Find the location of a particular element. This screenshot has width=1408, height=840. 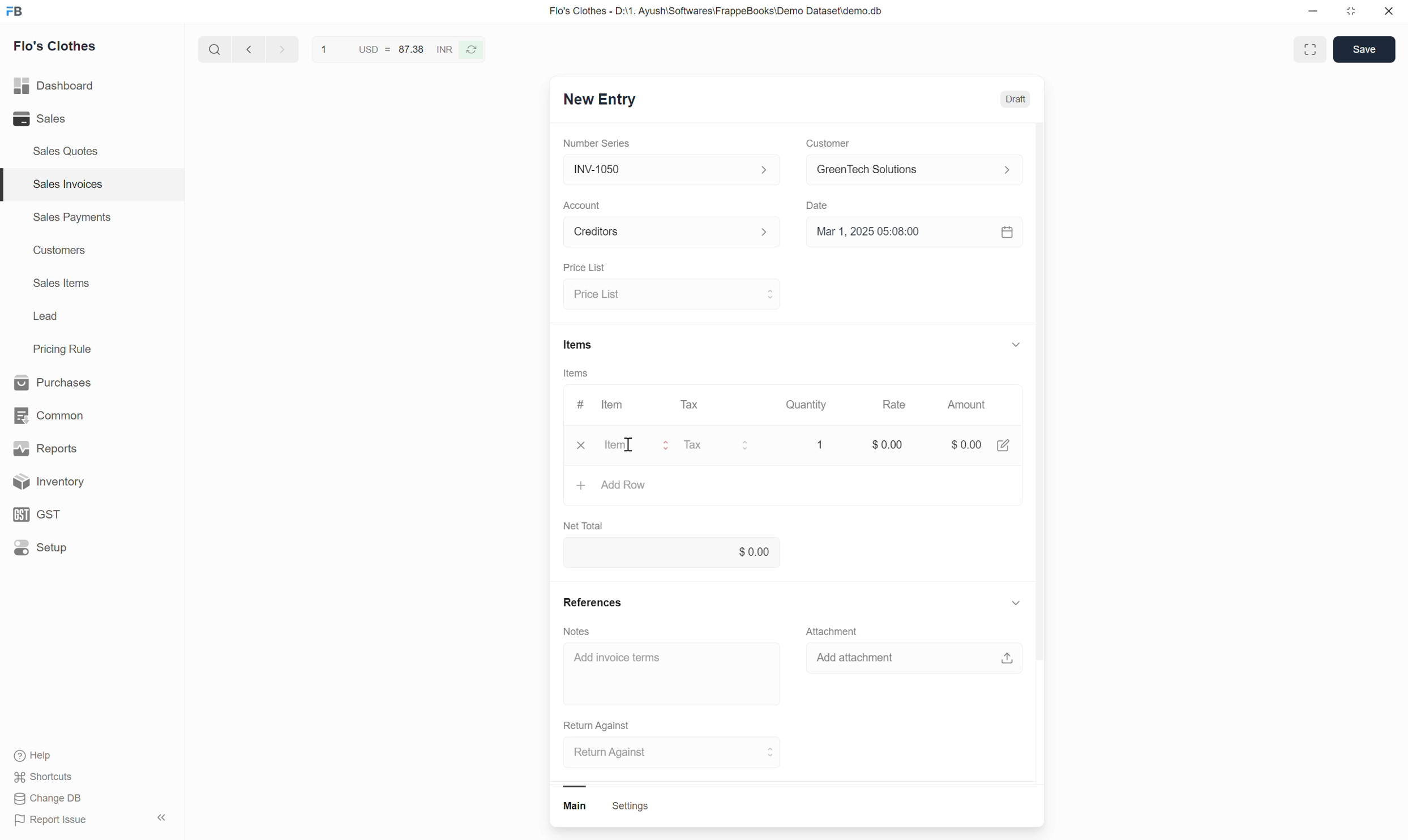

Quantity is located at coordinates (821, 444).